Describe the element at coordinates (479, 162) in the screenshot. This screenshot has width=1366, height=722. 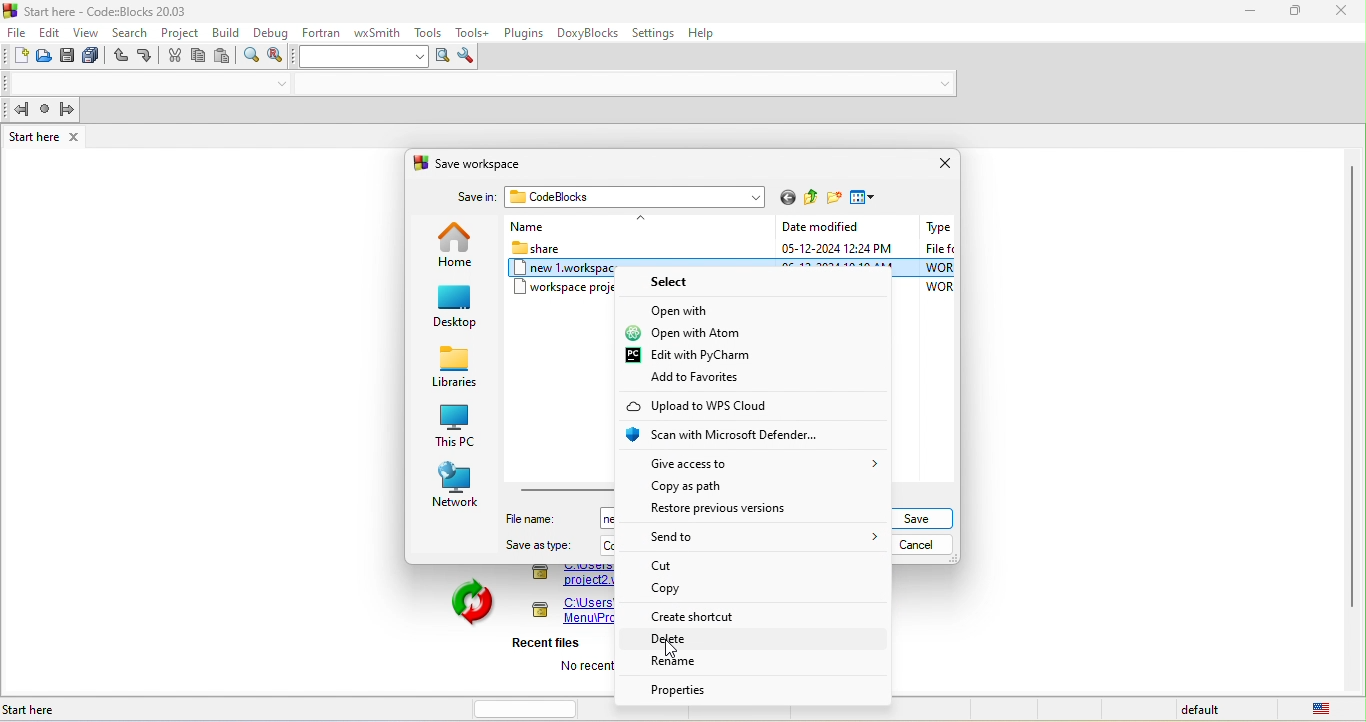
I see `save workspace` at that location.